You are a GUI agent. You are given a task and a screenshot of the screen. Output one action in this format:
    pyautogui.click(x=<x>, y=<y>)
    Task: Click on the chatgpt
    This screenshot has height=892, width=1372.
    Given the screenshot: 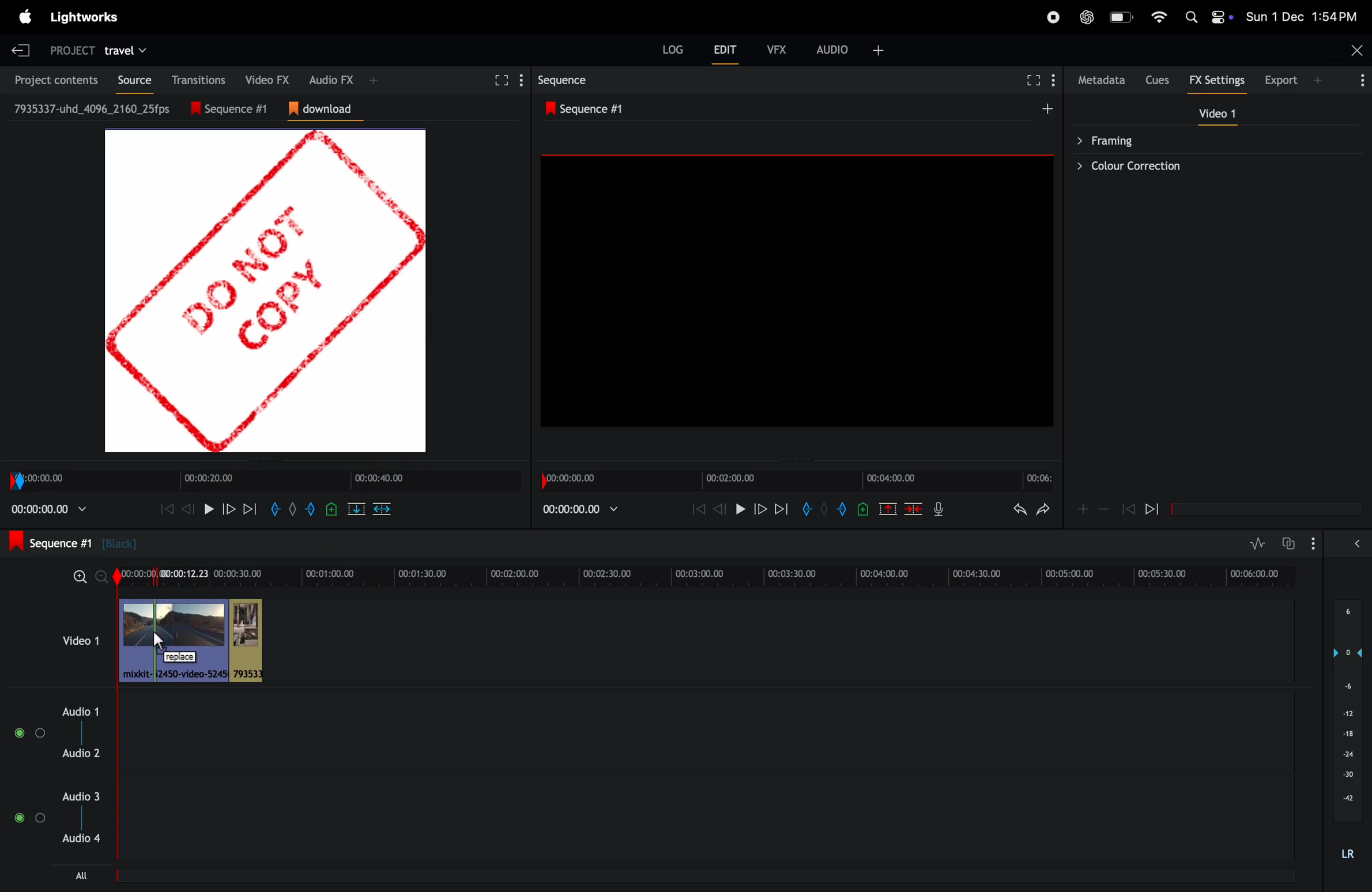 What is the action you would take?
    pyautogui.click(x=1087, y=17)
    